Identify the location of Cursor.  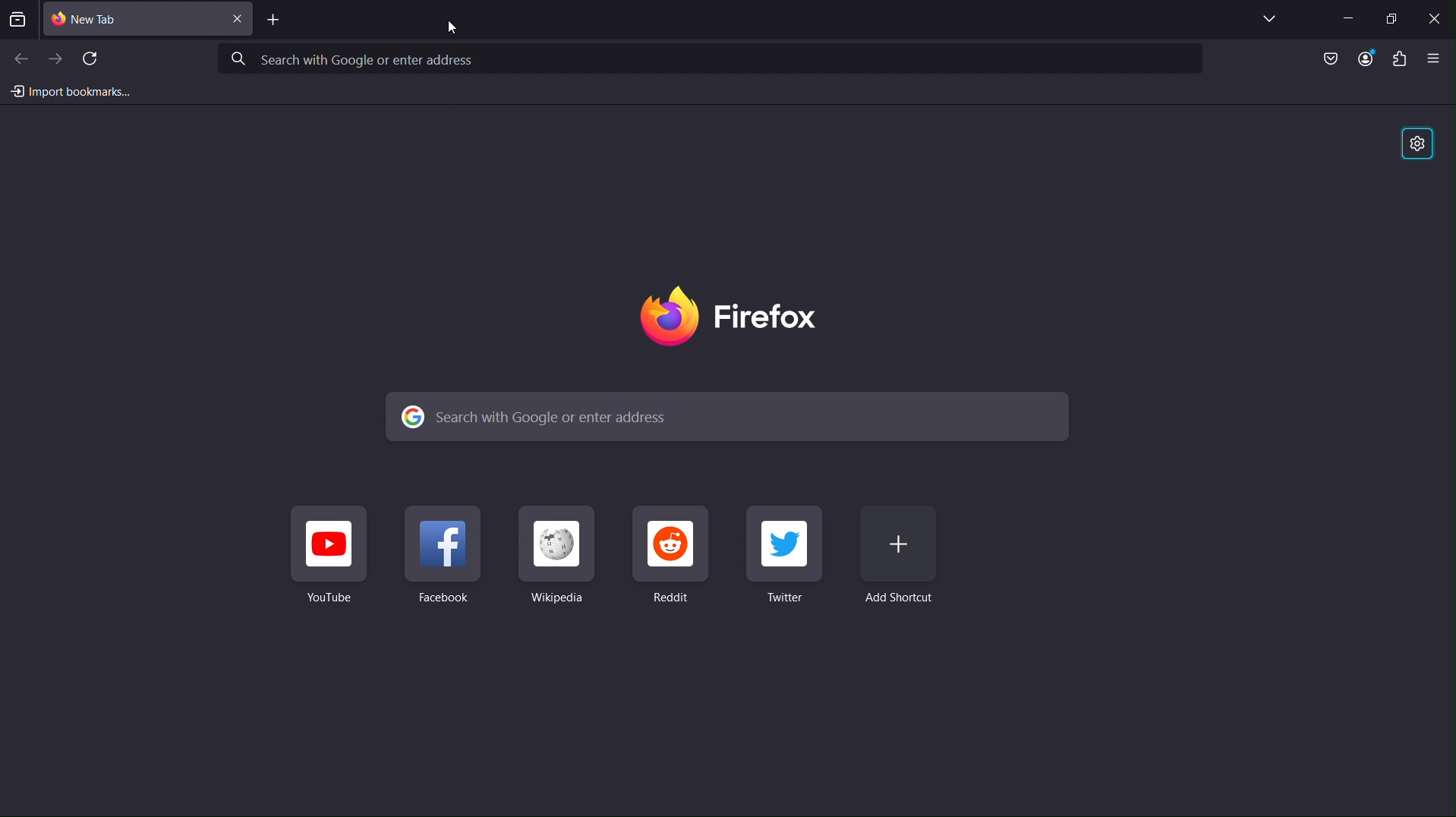
(455, 27).